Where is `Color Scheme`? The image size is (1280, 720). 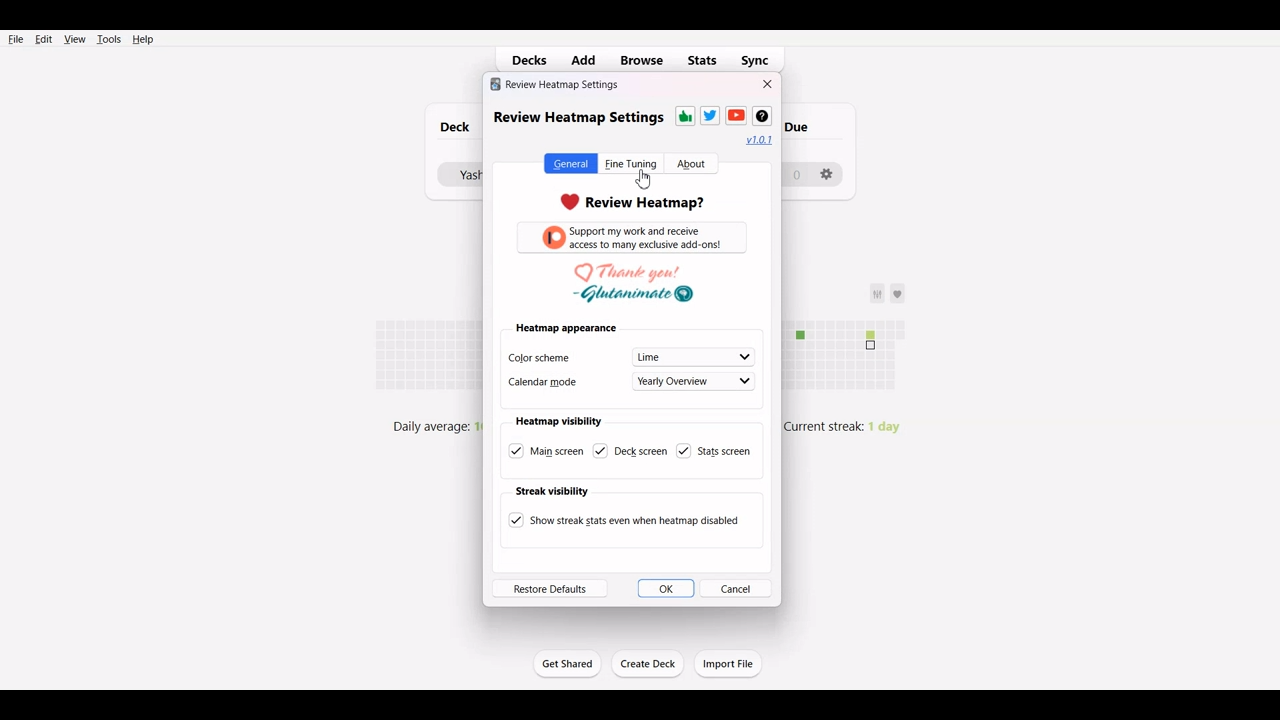 Color Scheme is located at coordinates (559, 356).